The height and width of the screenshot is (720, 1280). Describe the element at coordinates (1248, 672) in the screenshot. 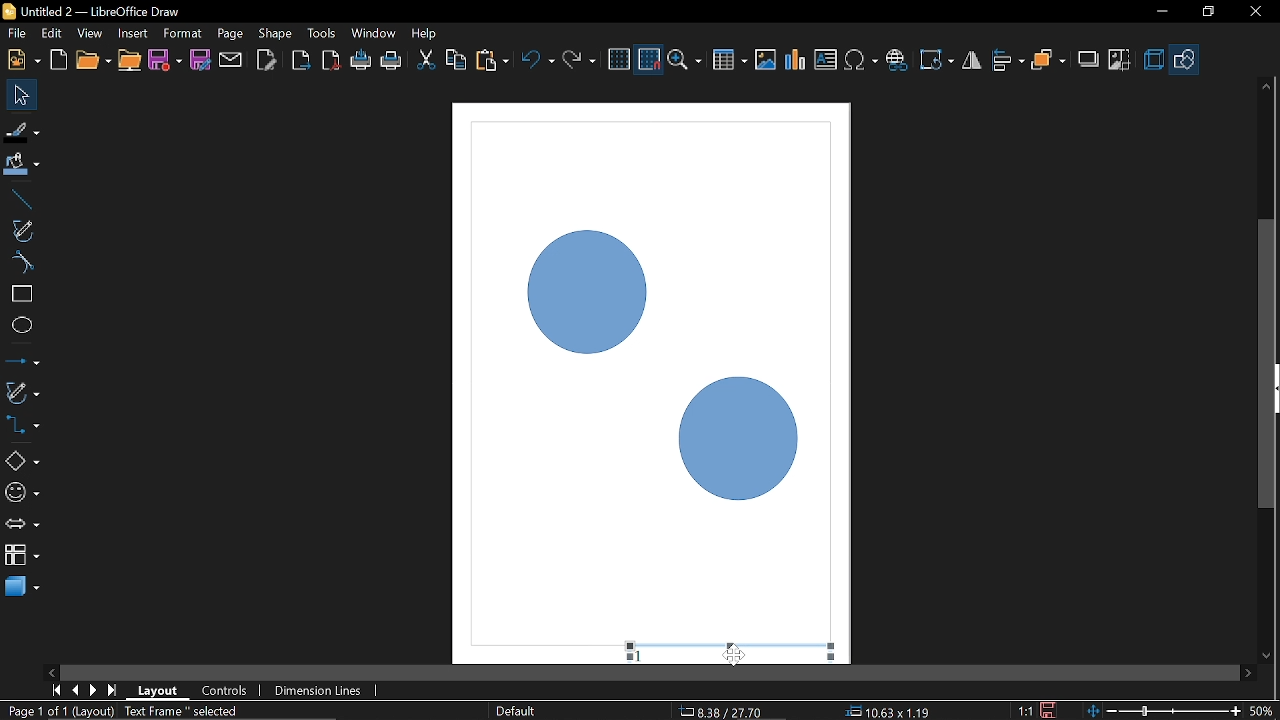

I see `MOve right` at that location.